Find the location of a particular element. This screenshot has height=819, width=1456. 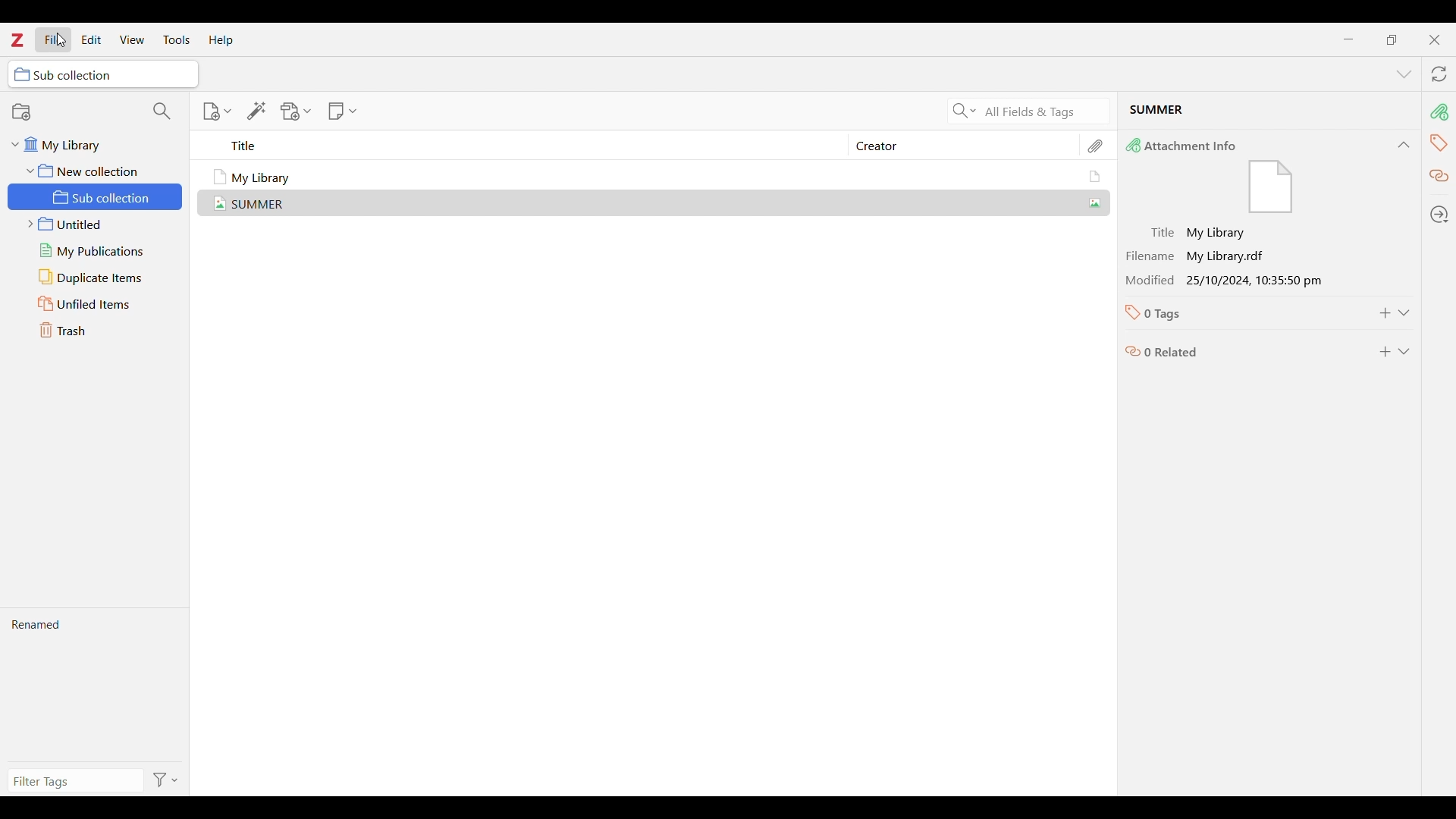

New note  is located at coordinates (342, 111).